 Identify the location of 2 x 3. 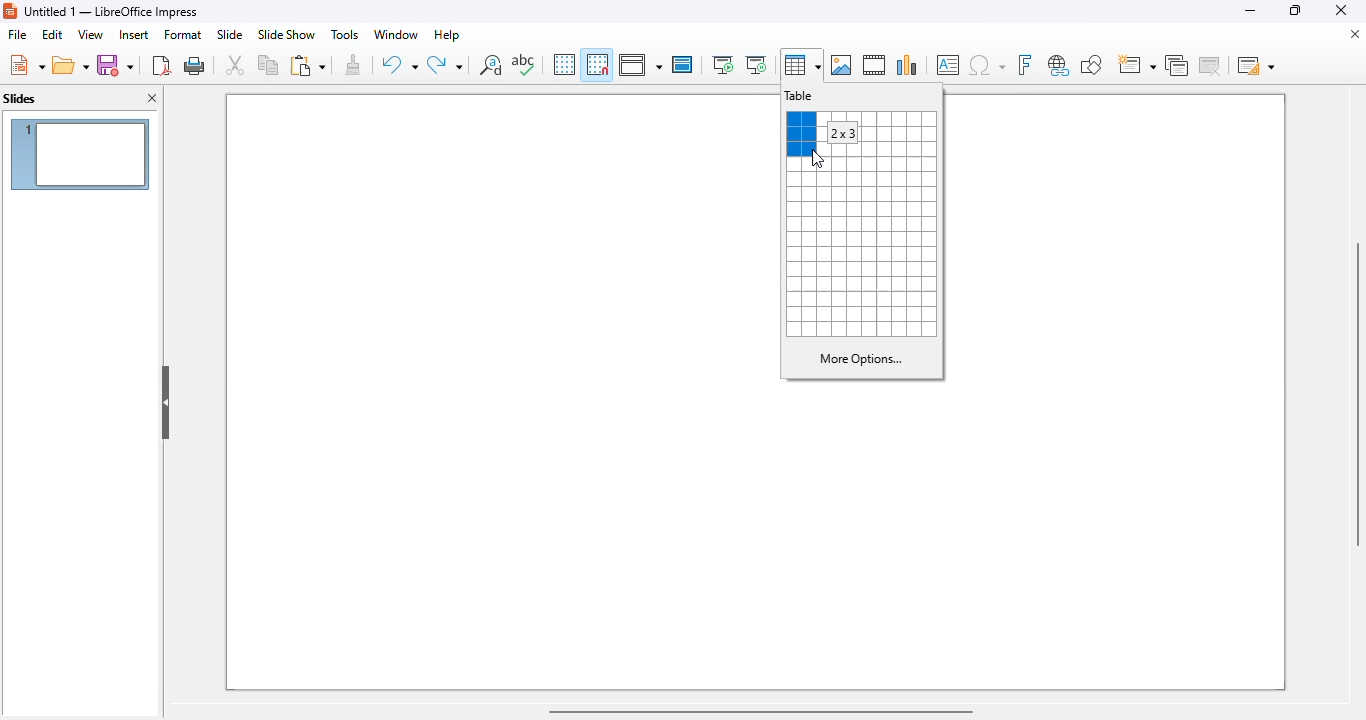
(841, 131).